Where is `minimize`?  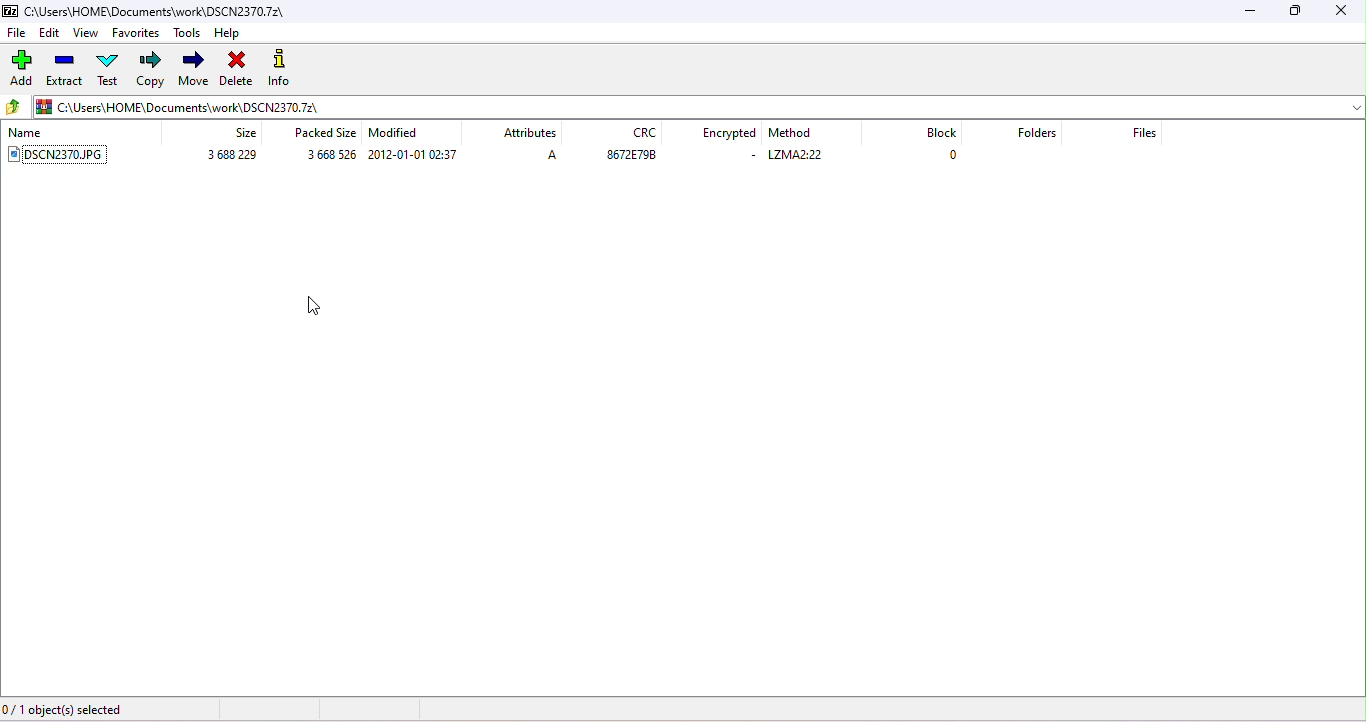 minimize is located at coordinates (1256, 13).